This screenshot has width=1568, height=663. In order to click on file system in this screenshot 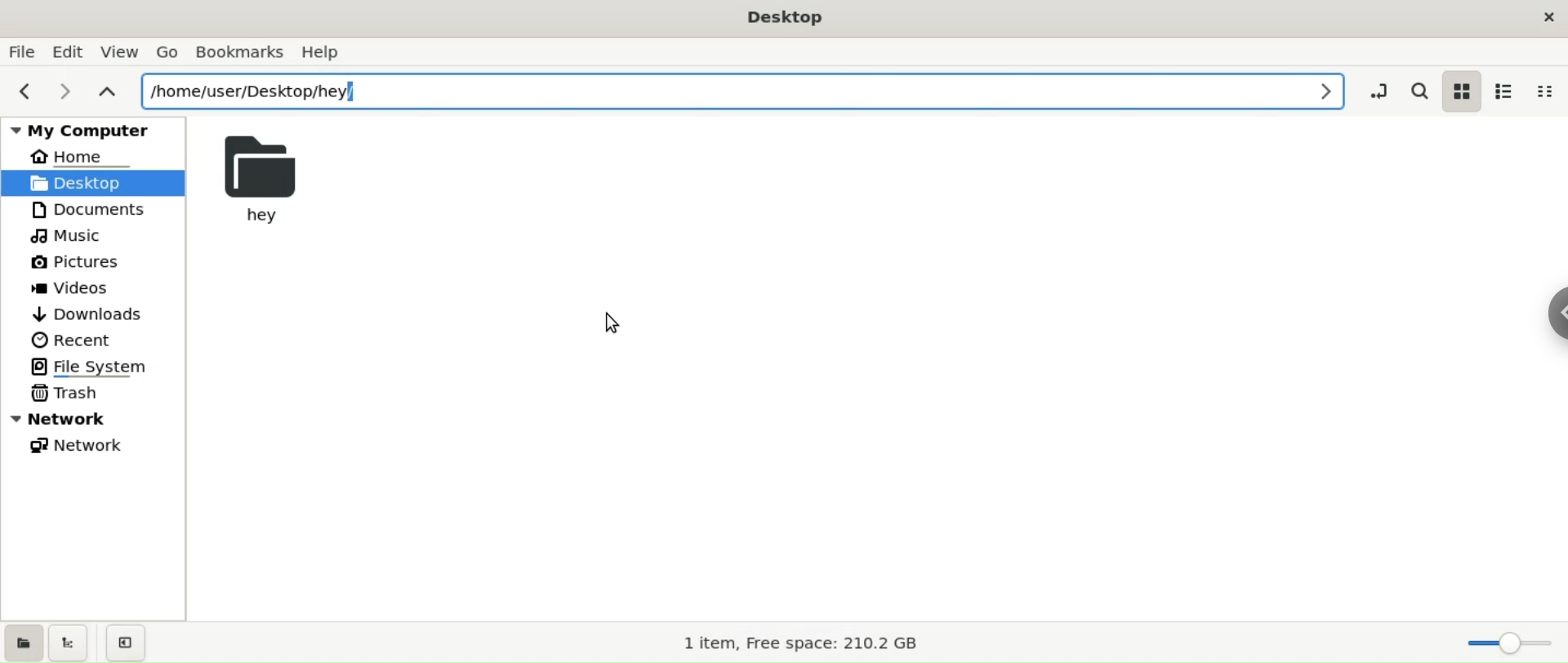, I will do `click(102, 365)`.